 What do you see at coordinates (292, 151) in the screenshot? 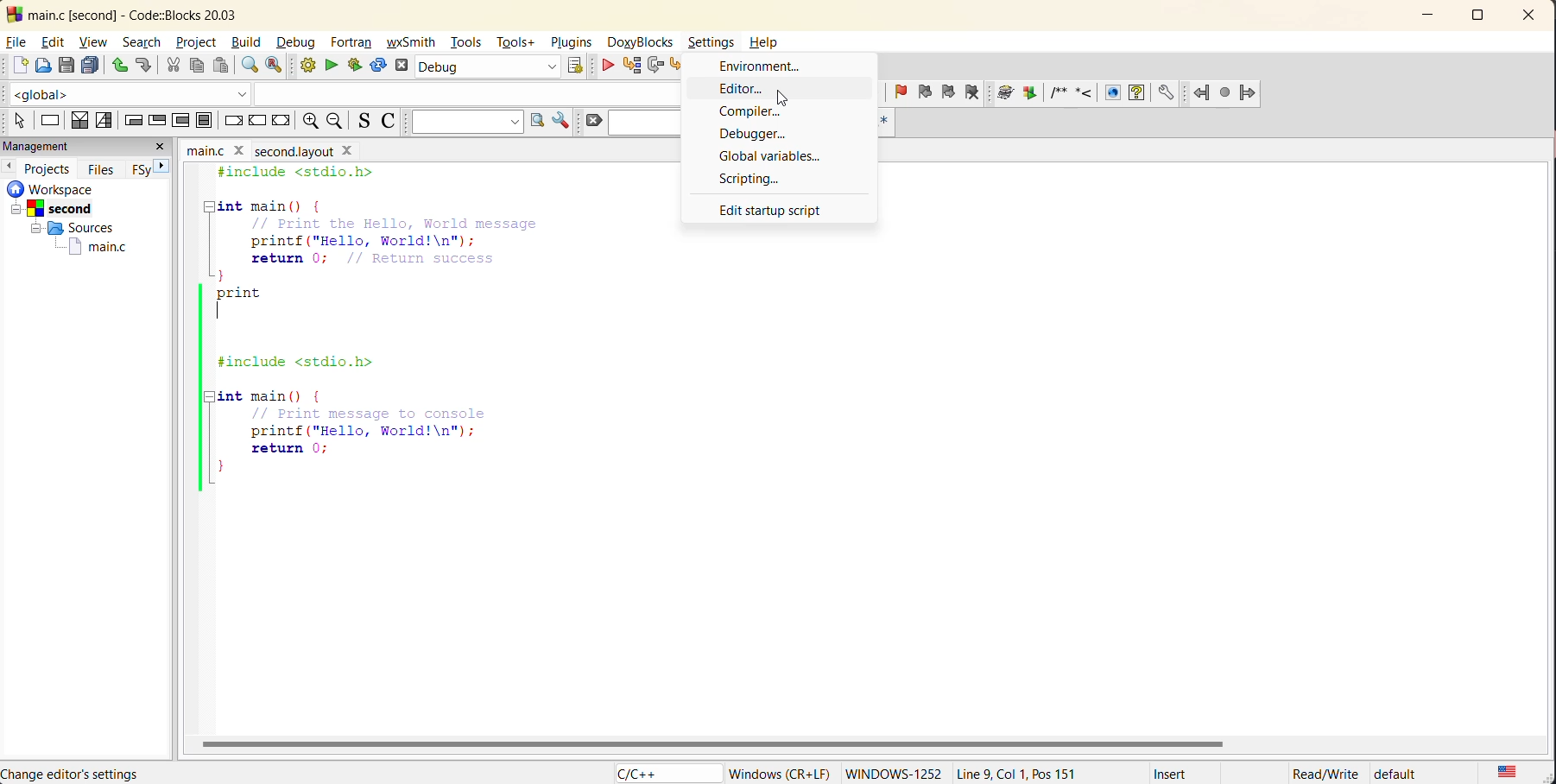
I see `second.layout` at bounding box center [292, 151].